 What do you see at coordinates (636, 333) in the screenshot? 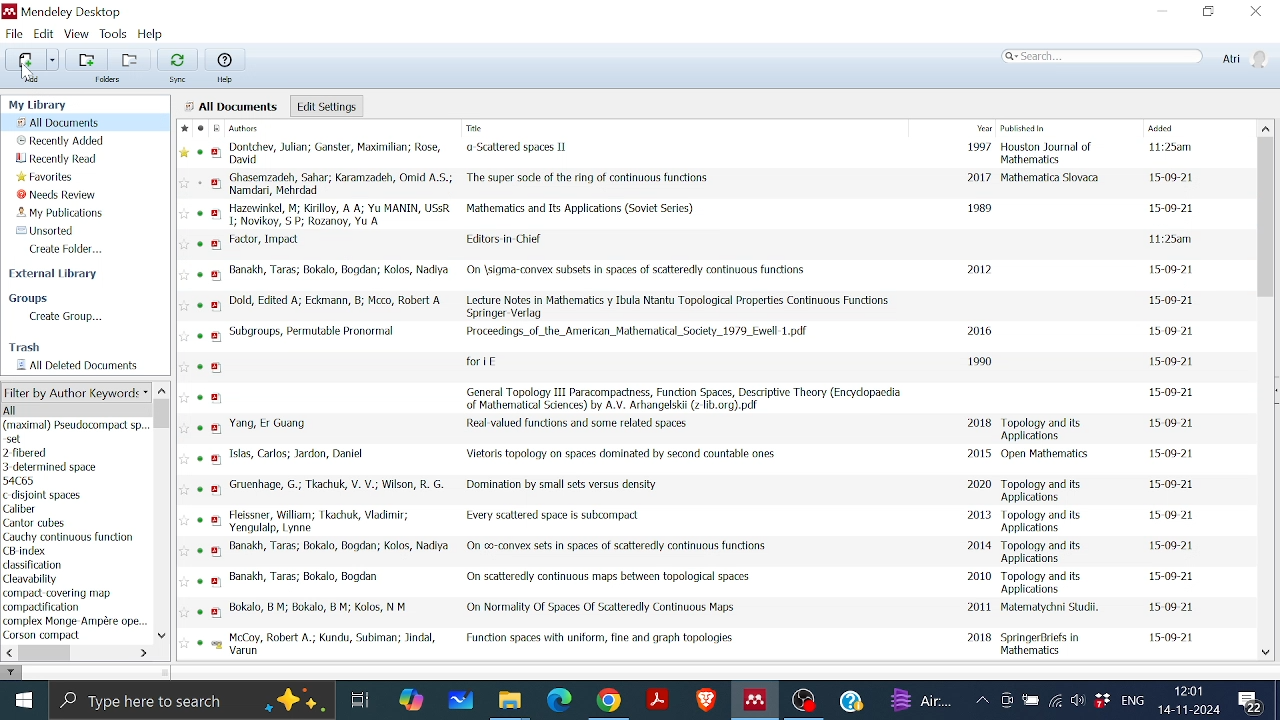
I see `Title` at bounding box center [636, 333].